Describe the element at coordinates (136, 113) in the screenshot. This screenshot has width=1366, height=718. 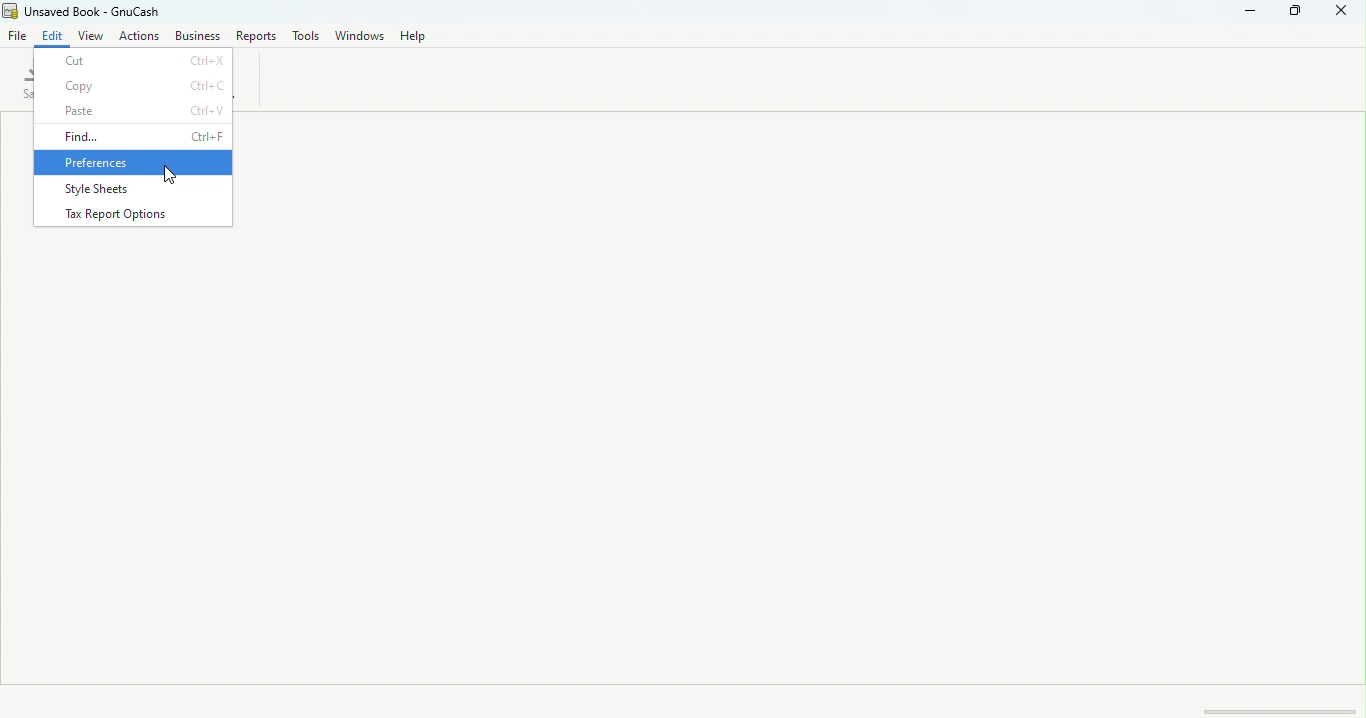
I see `Paste` at that location.